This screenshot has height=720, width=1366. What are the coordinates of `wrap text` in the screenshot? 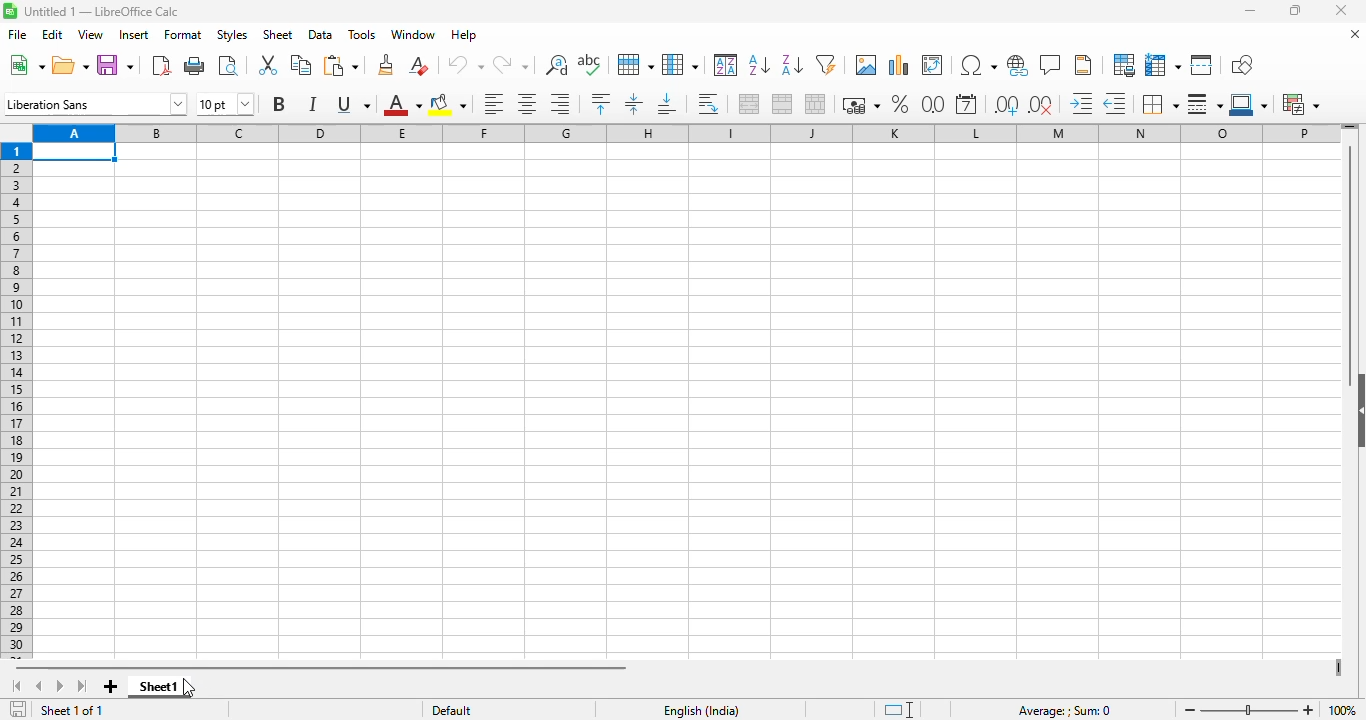 It's located at (708, 105).